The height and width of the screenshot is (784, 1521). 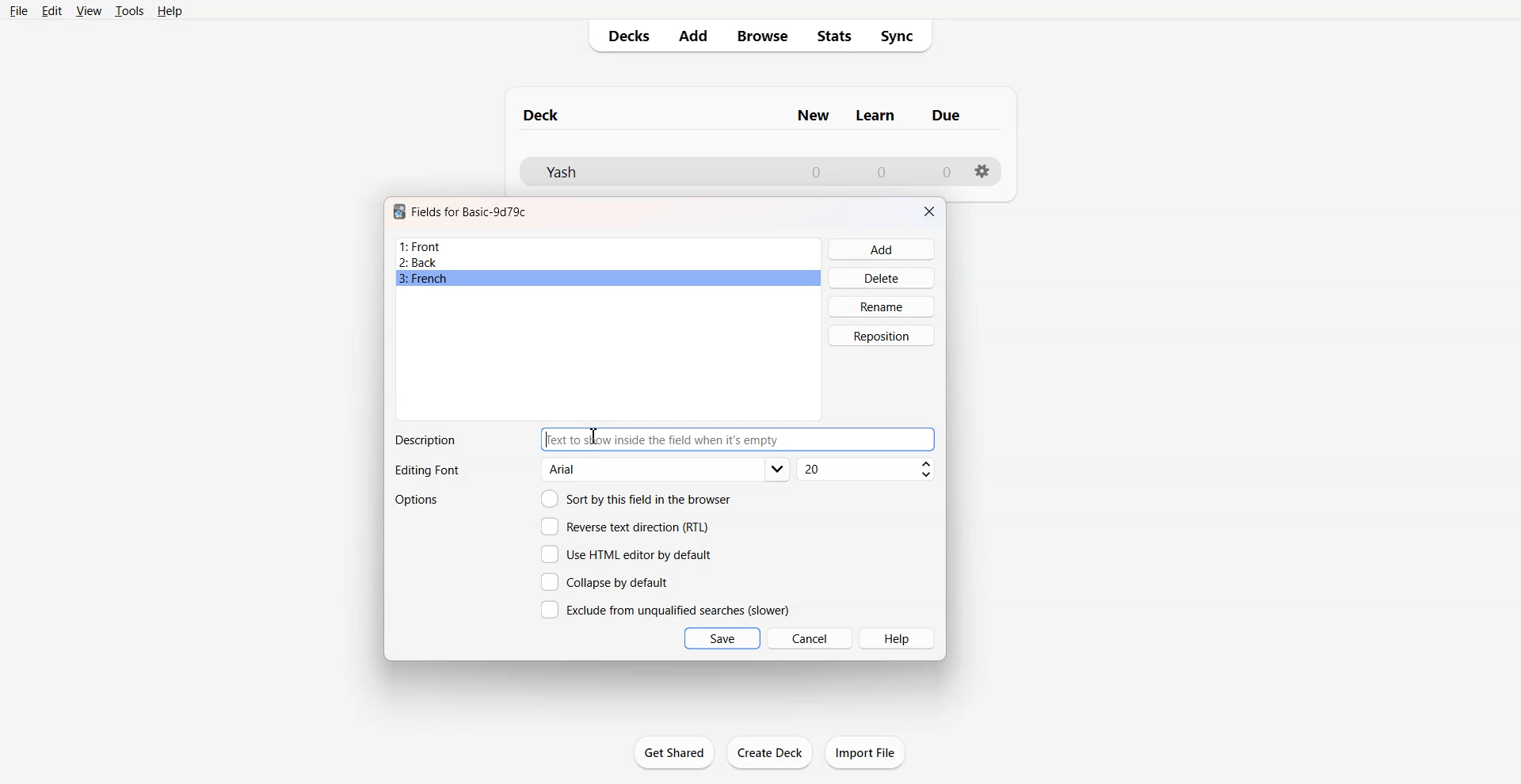 What do you see at coordinates (129, 10) in the screenshot?
I see `Tools` at bounding box center [129, 10].